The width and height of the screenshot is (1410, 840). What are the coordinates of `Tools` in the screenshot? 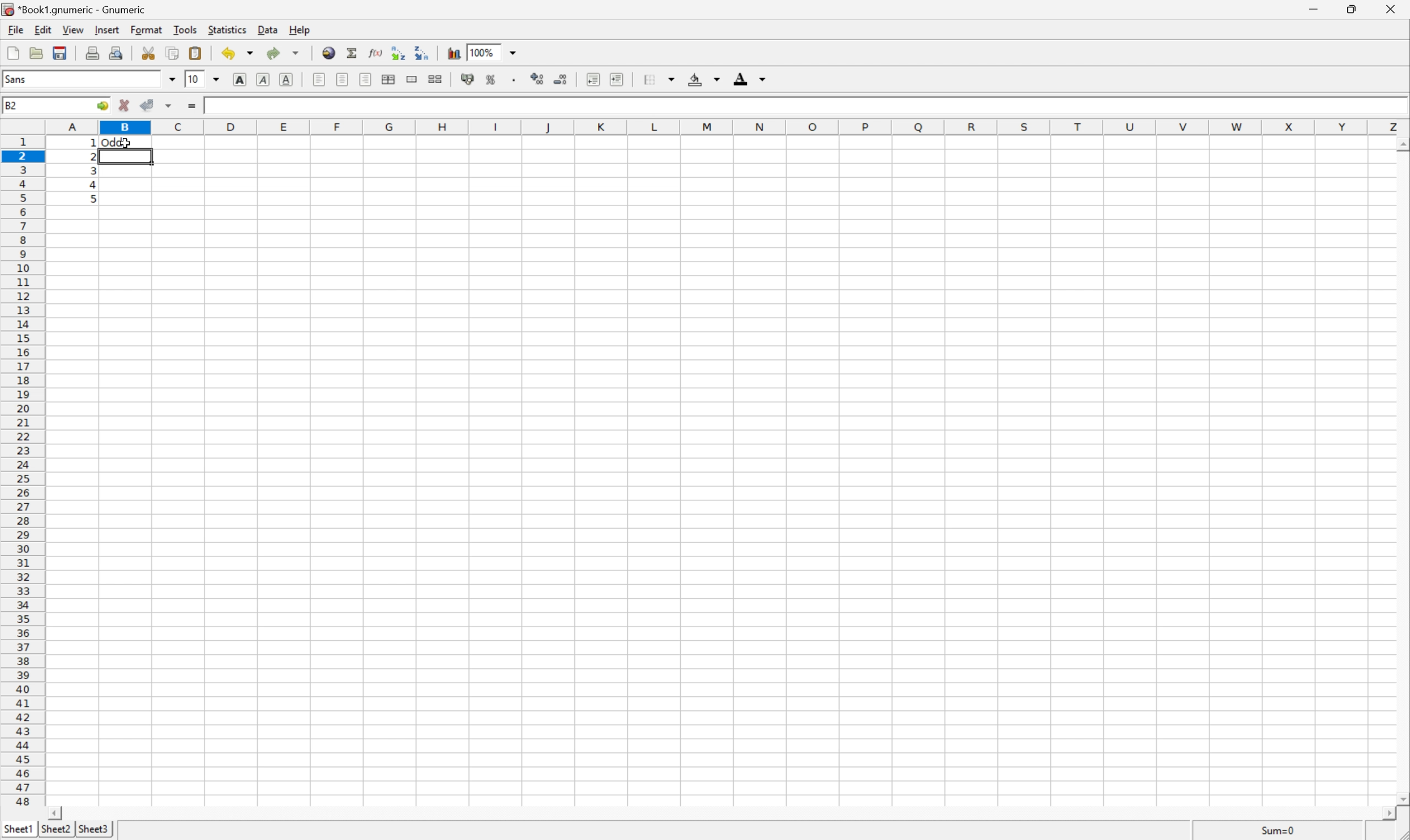 It's located at (185, 30).